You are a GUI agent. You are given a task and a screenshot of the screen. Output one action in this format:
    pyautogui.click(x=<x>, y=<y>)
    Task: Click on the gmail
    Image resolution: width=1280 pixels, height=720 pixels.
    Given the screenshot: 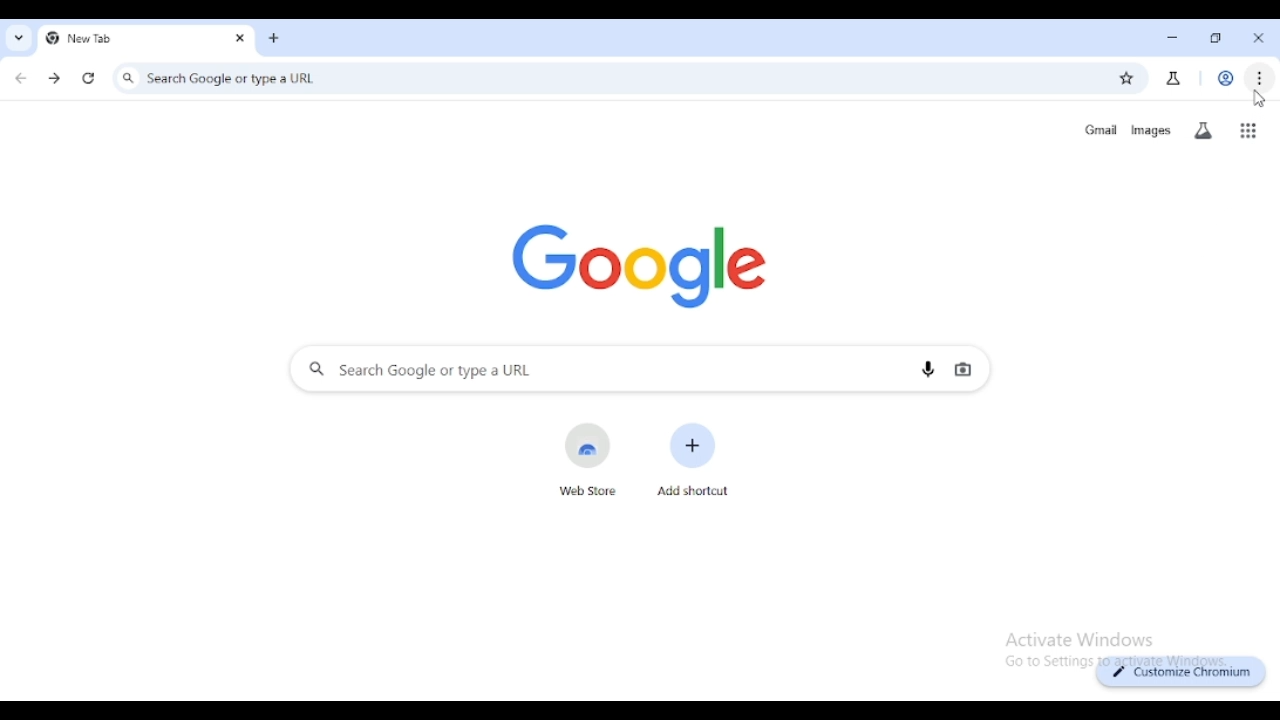 What is the action you would take?
    pyautogui.click(x=1102, y=129)
    